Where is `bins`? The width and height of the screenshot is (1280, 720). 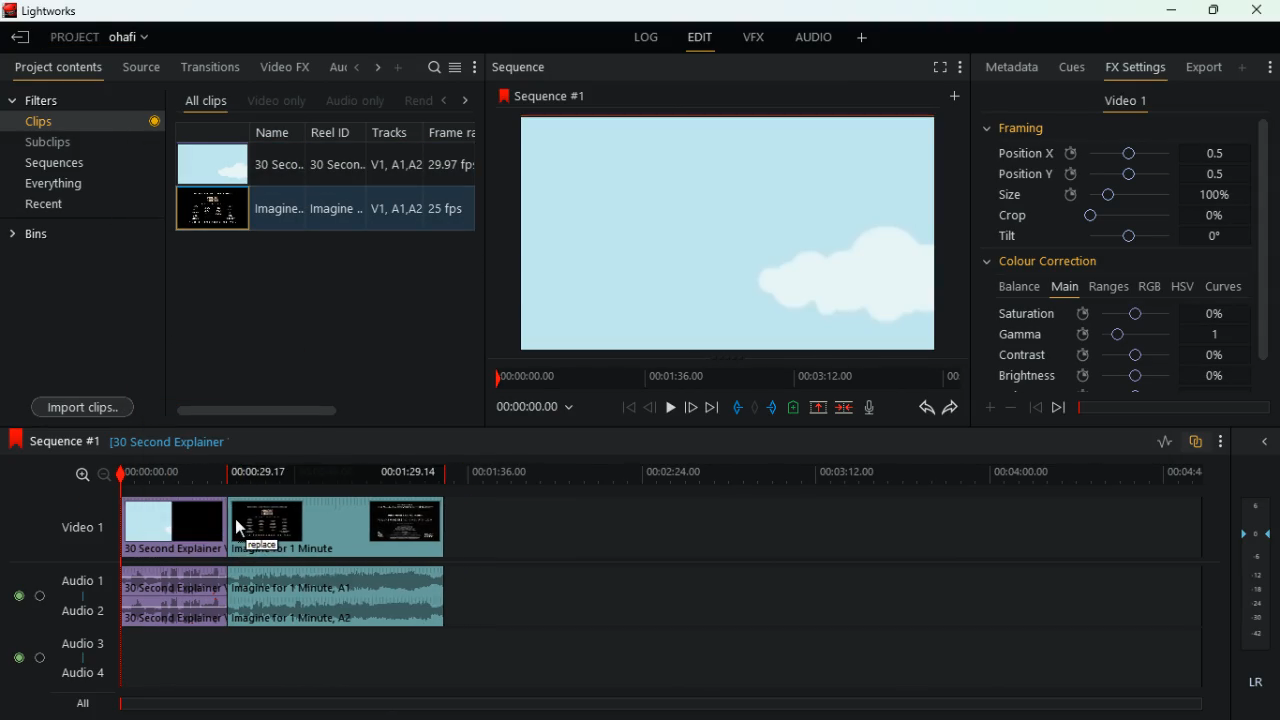 bins is located at coordinates (33, 237).